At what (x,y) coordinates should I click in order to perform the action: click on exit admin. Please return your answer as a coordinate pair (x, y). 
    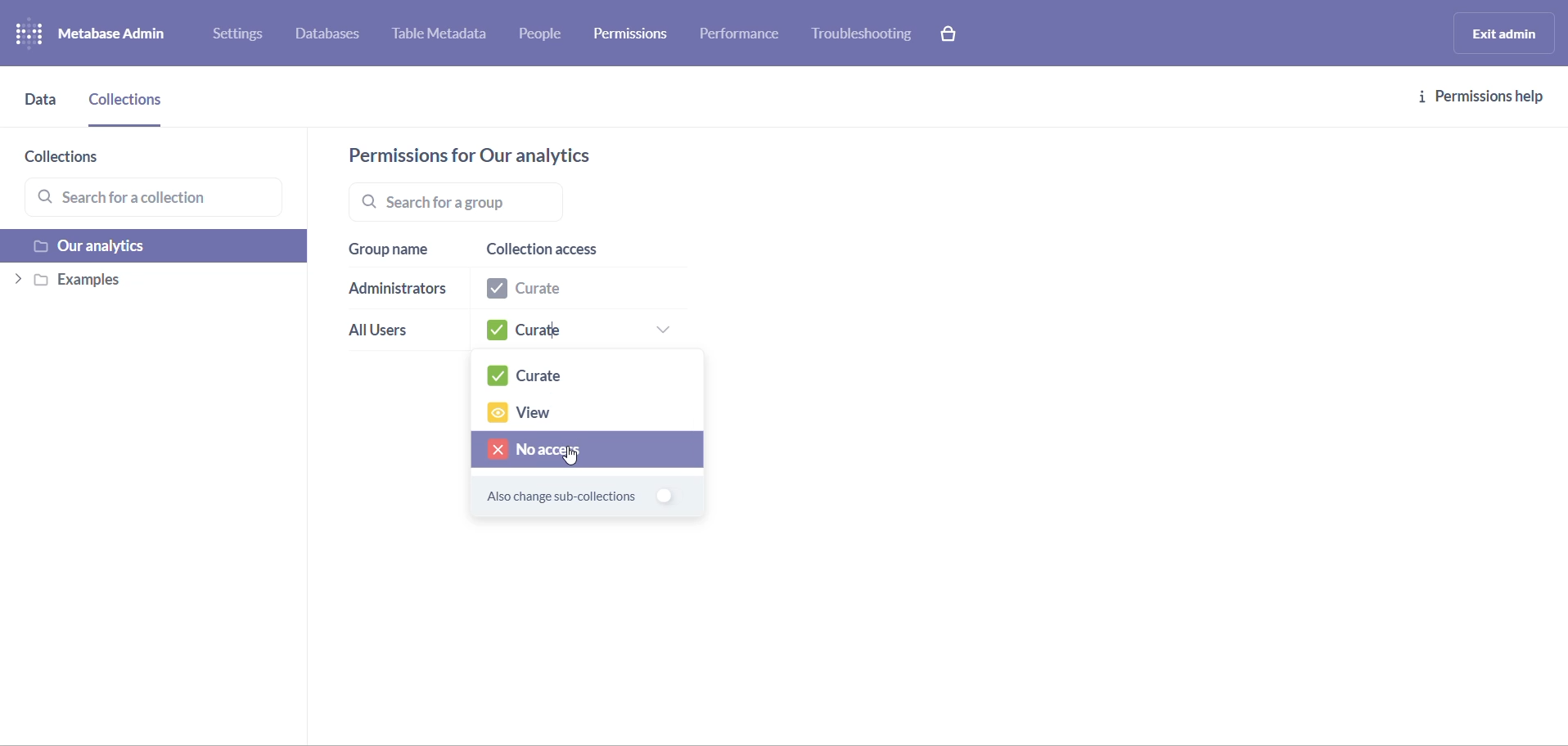
    Looking at the image, I should click on (1501, 33).